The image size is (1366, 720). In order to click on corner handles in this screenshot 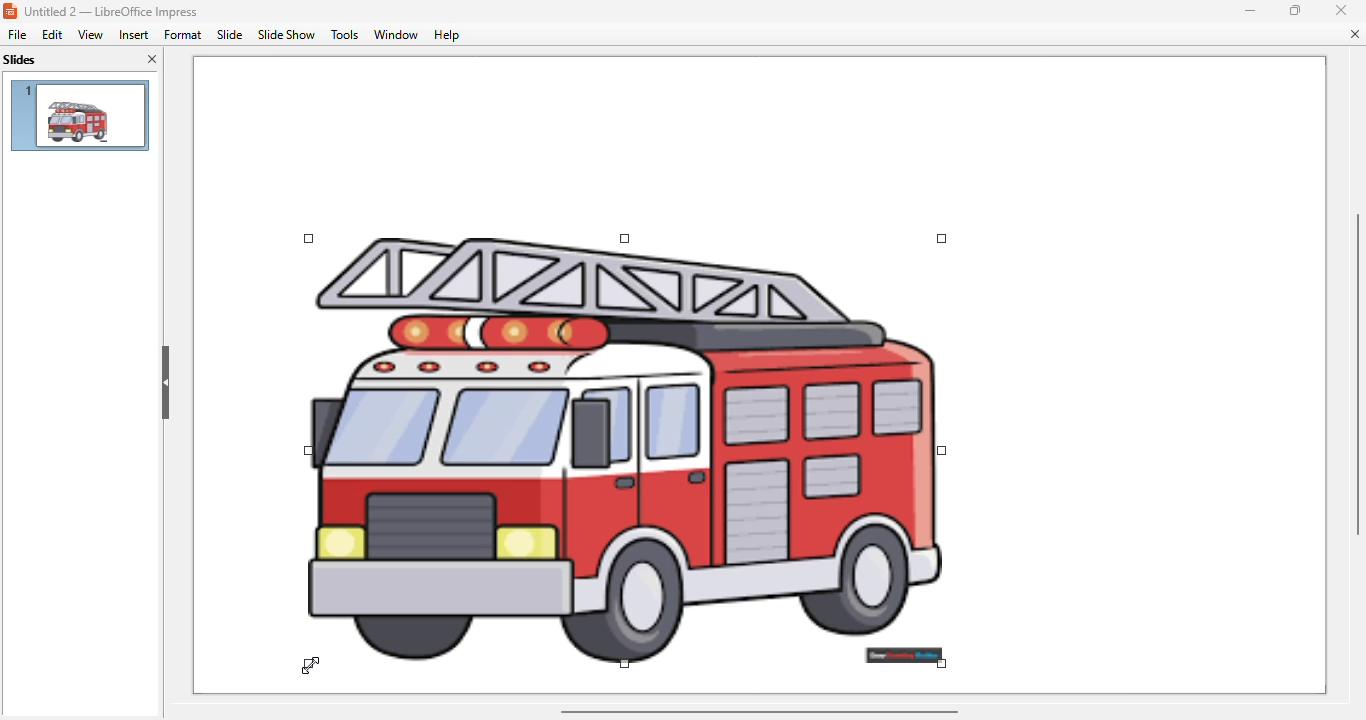, I will do `click(625, 663)`.